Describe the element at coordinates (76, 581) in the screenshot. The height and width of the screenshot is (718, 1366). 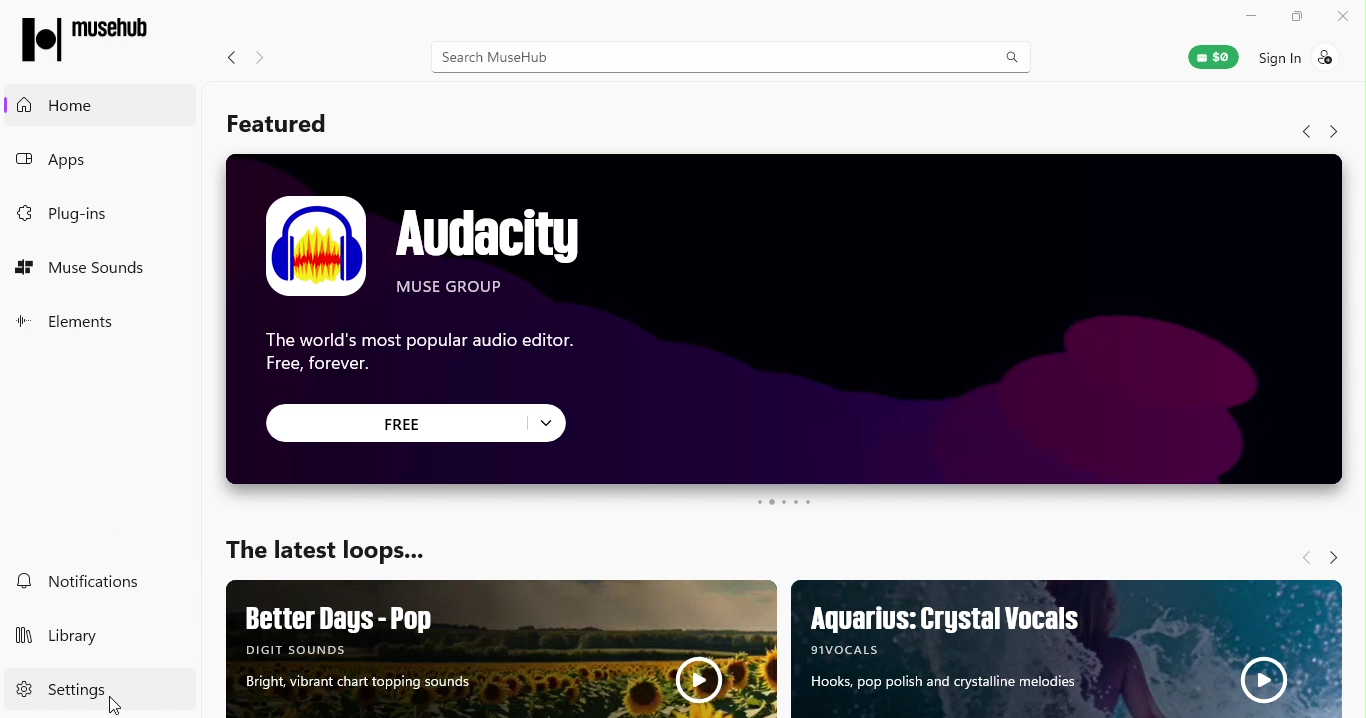
I see `Notifications` at that location.